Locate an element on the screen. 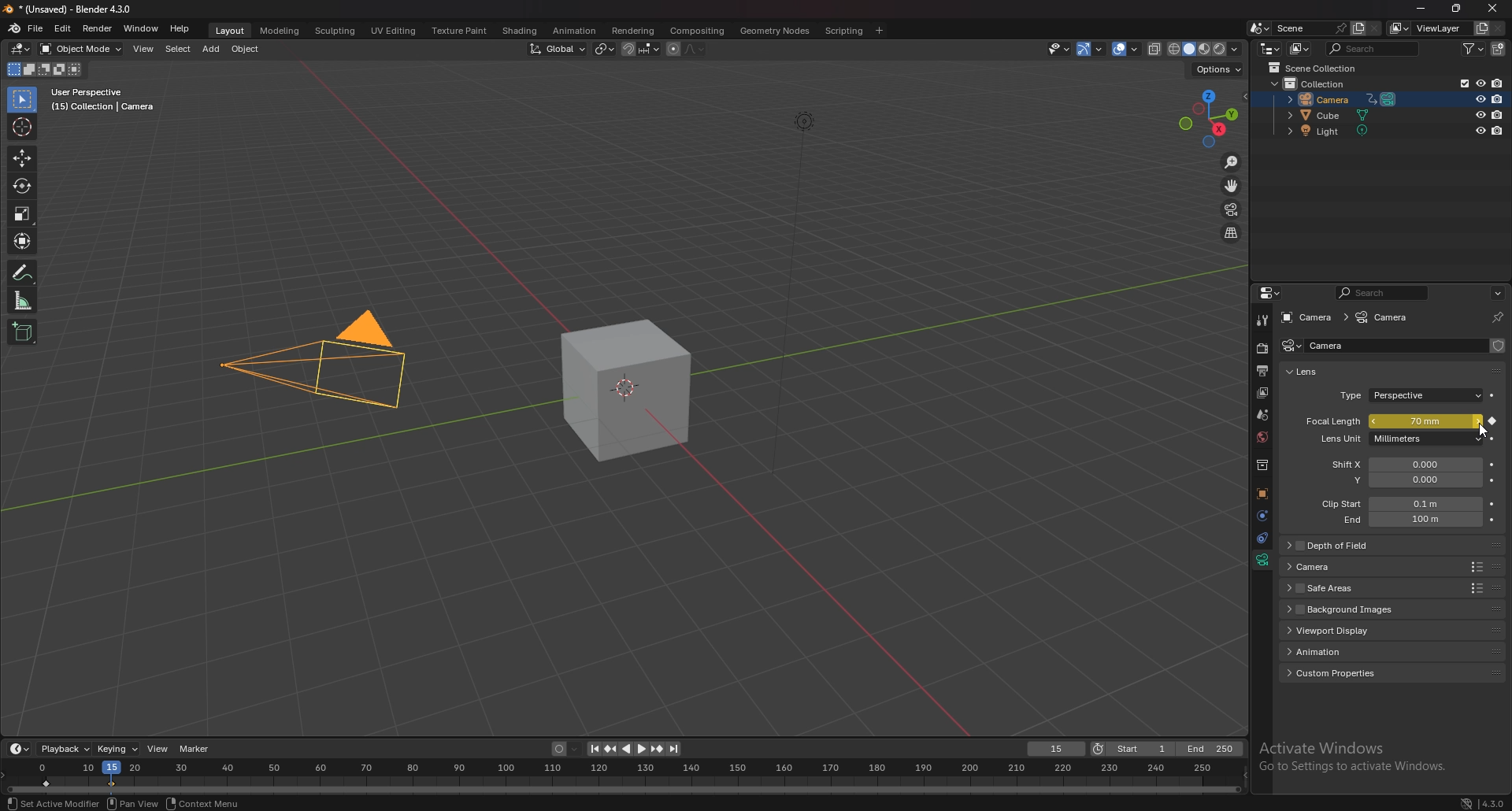 Image resolution: width=1512 pixels, height=811 pixels. render is located at coordinates (1261, 350).